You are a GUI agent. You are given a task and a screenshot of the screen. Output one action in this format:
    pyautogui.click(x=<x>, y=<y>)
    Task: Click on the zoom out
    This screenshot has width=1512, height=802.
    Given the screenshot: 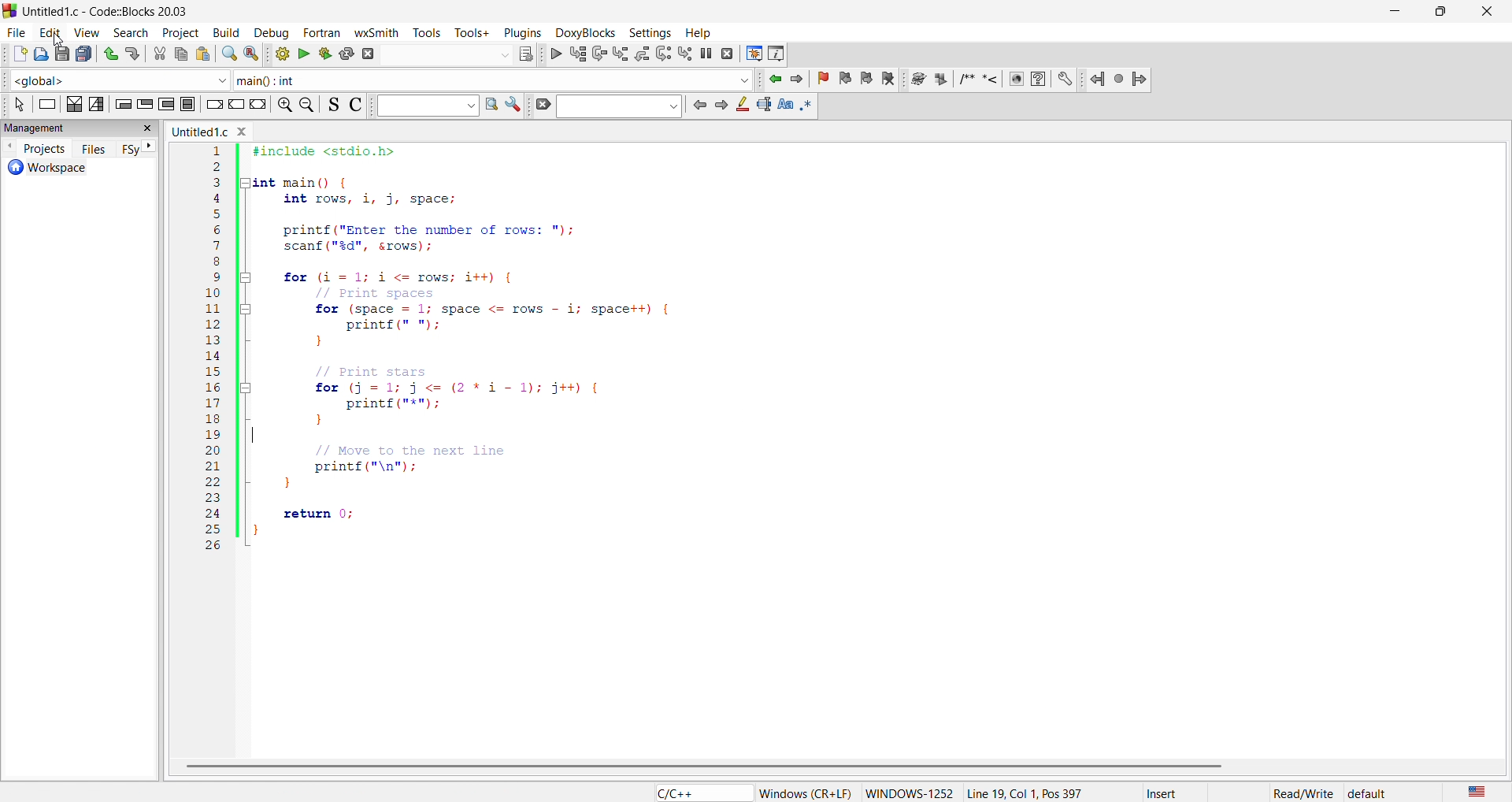 What is the action you would take?
    pyautogui.click(x=309, y=105)
    